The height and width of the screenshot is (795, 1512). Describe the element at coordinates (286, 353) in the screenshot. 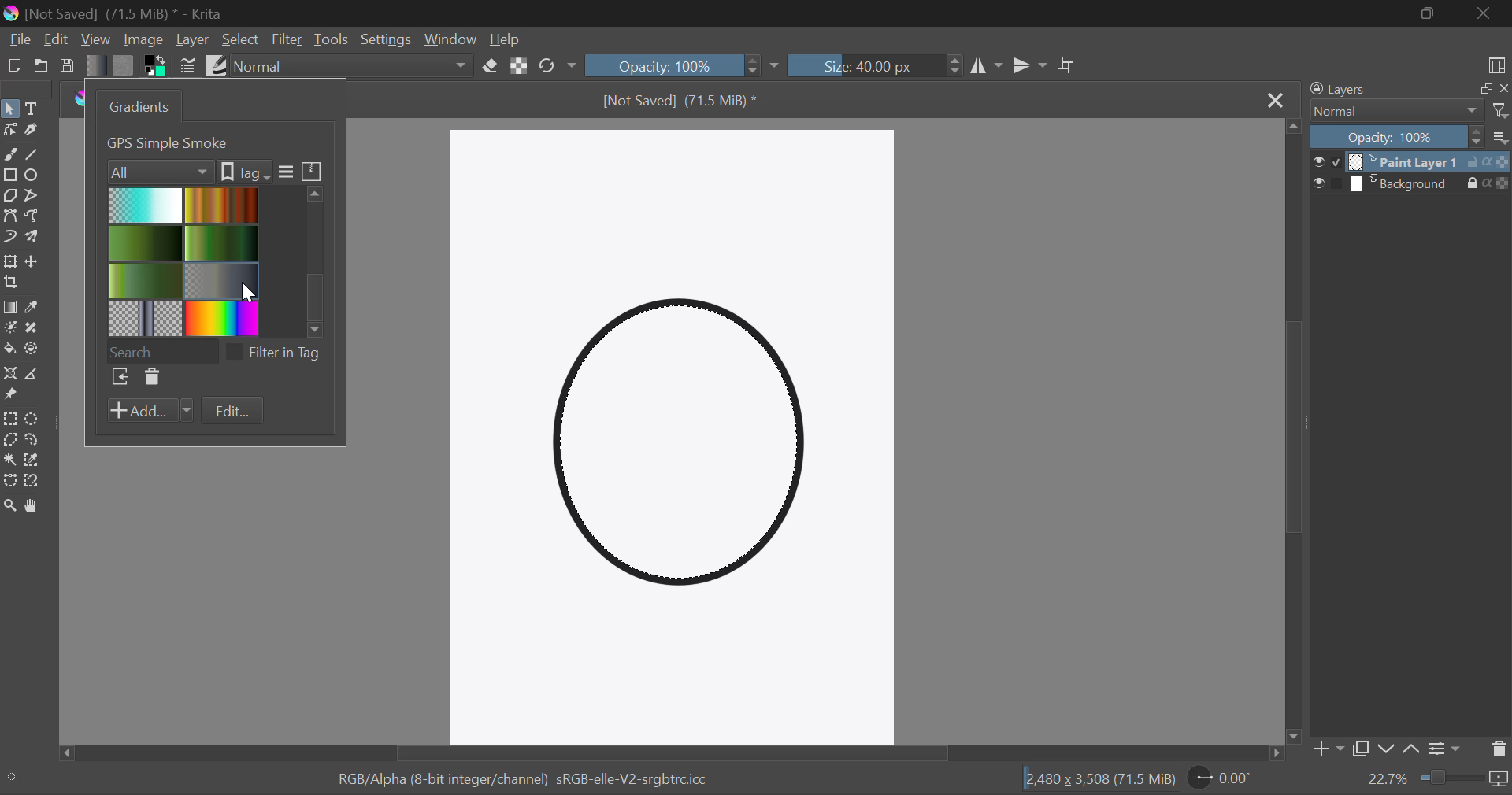

I see `filter in tag` at that location.